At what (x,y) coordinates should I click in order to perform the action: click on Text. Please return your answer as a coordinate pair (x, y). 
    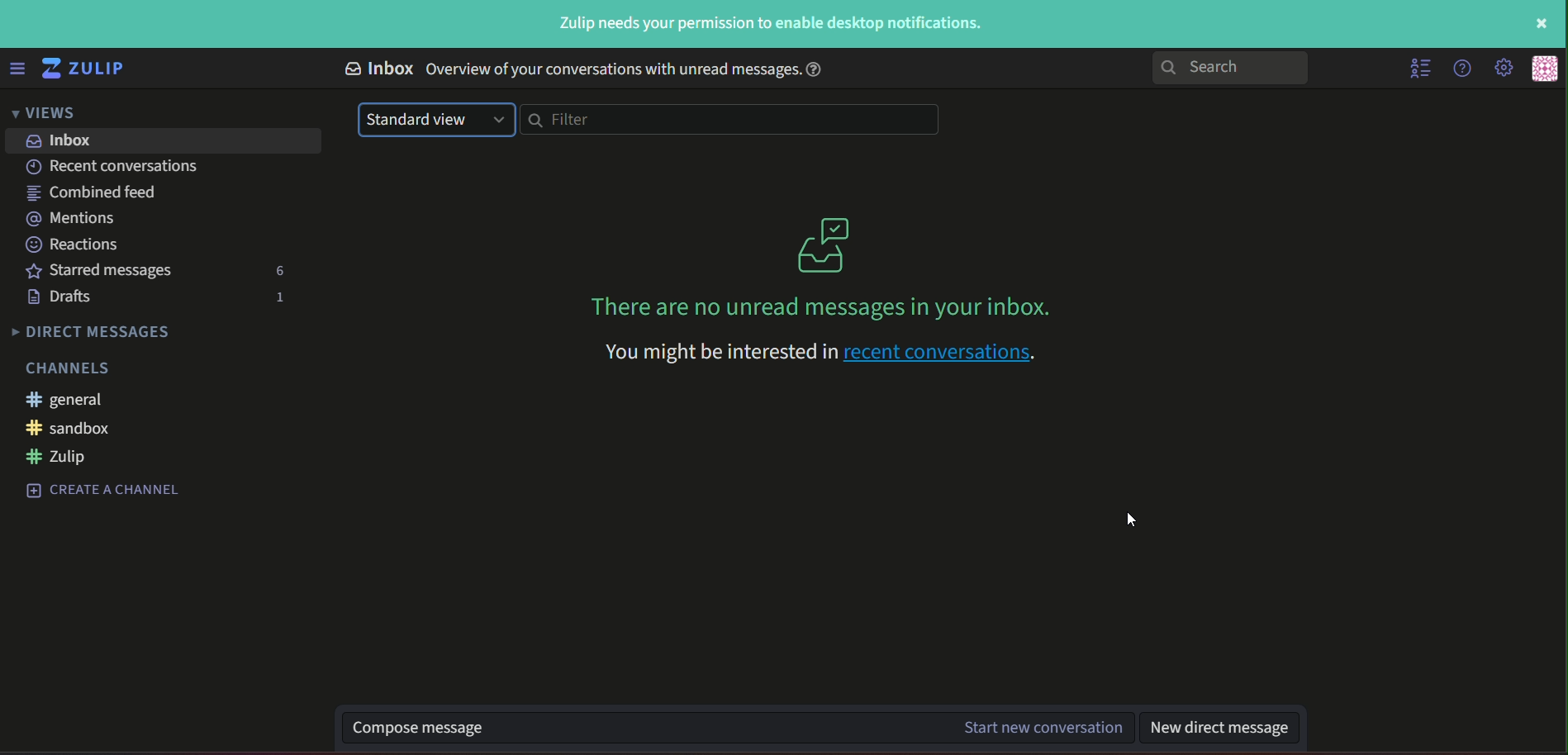
    Looking at the image, I should click on (764, 23).